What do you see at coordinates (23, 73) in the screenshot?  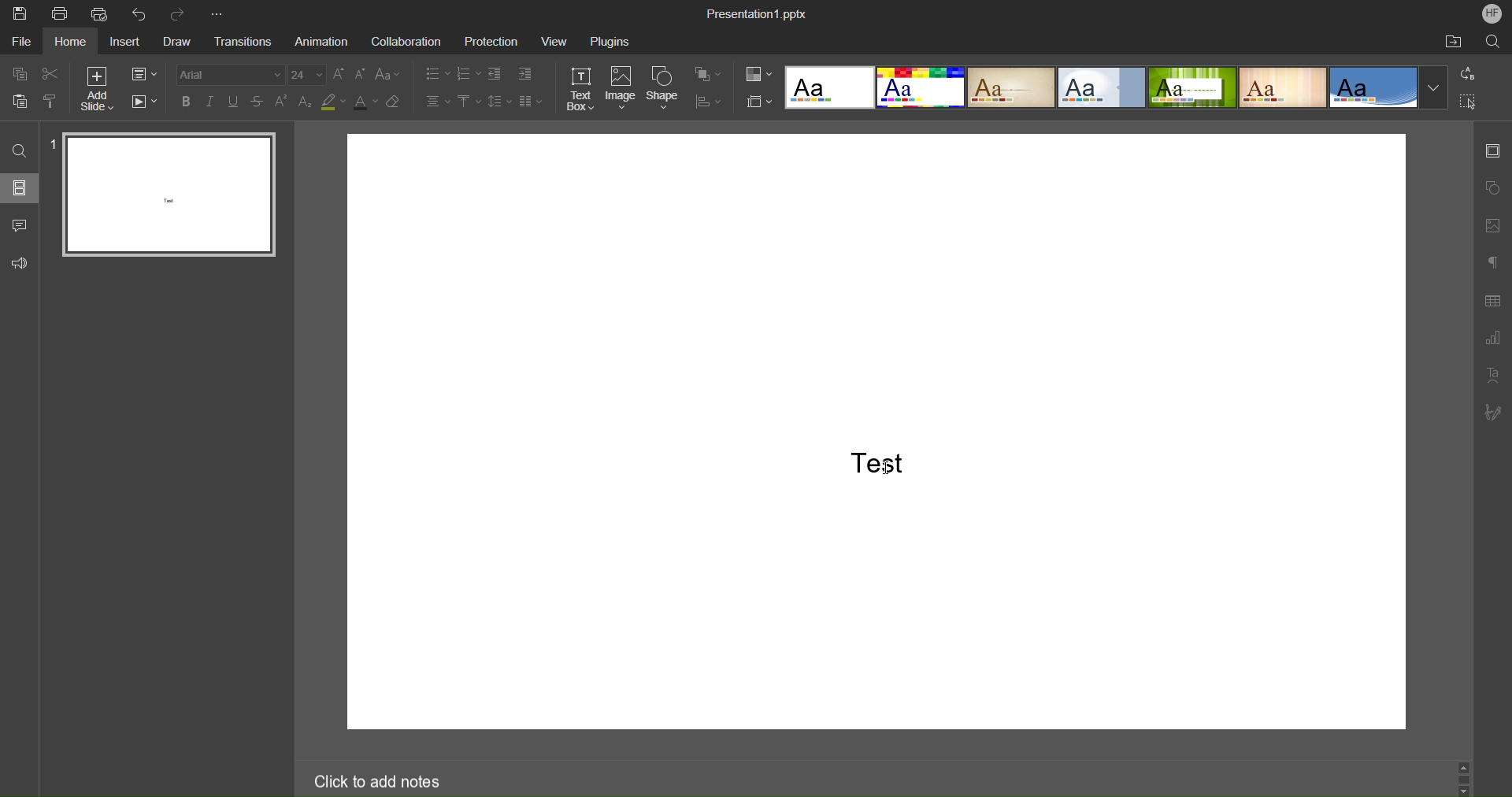 I see `Copy` at bounding box center [23, 73].